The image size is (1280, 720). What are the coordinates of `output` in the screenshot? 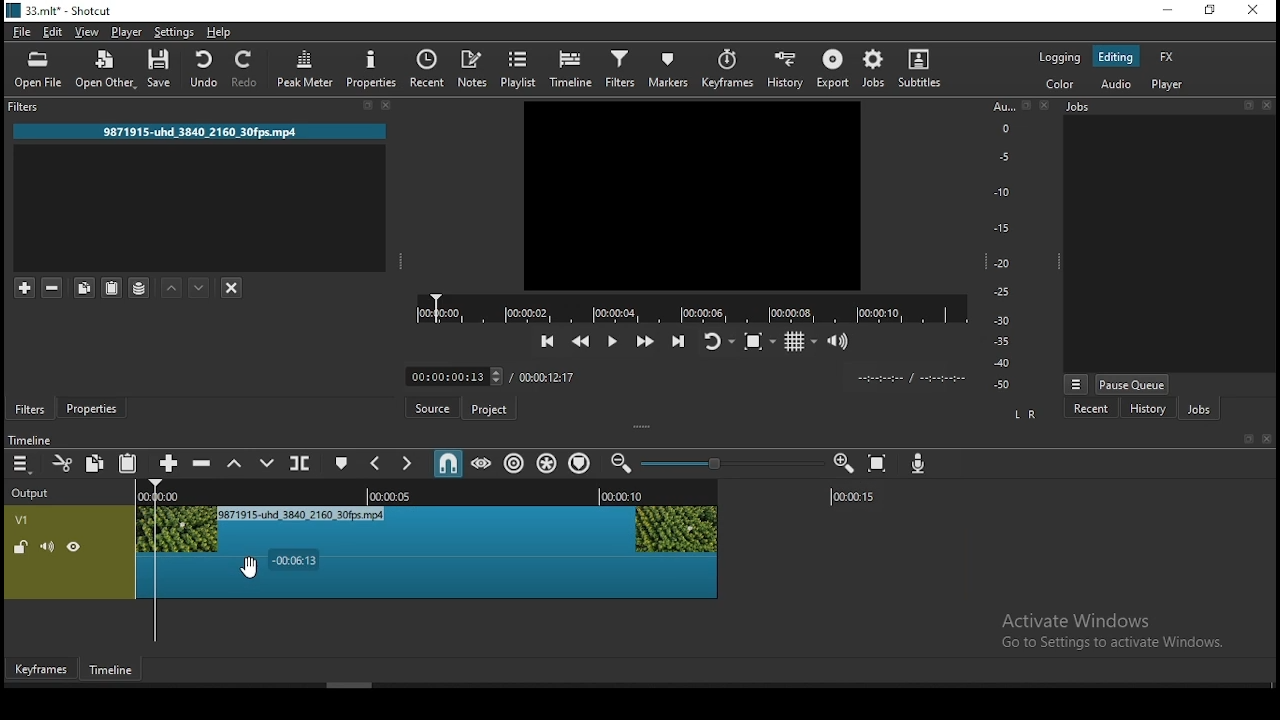 It's located at (39, 495).